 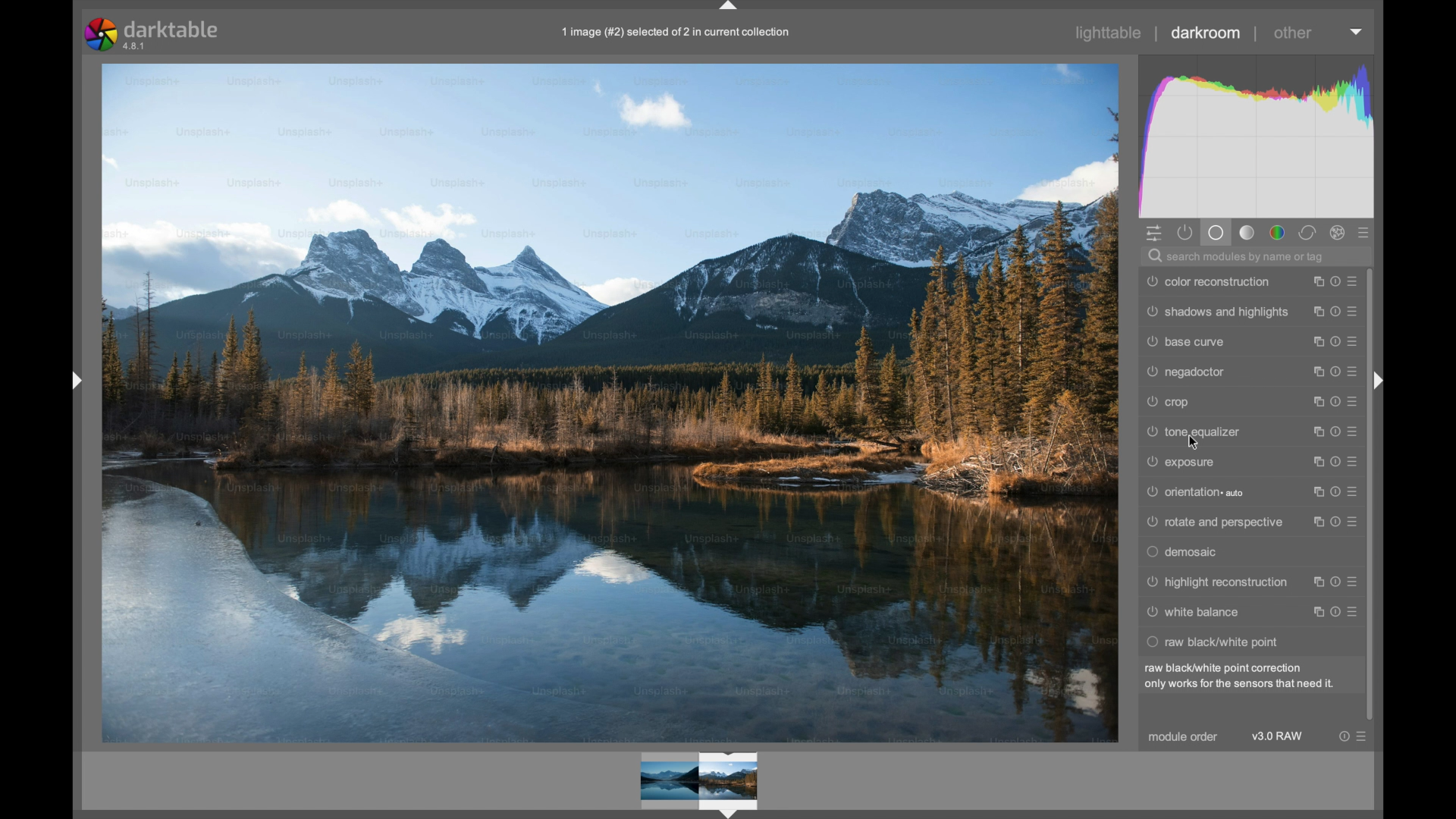 I want to click on reset parameters, so click(x=1335, y=582).